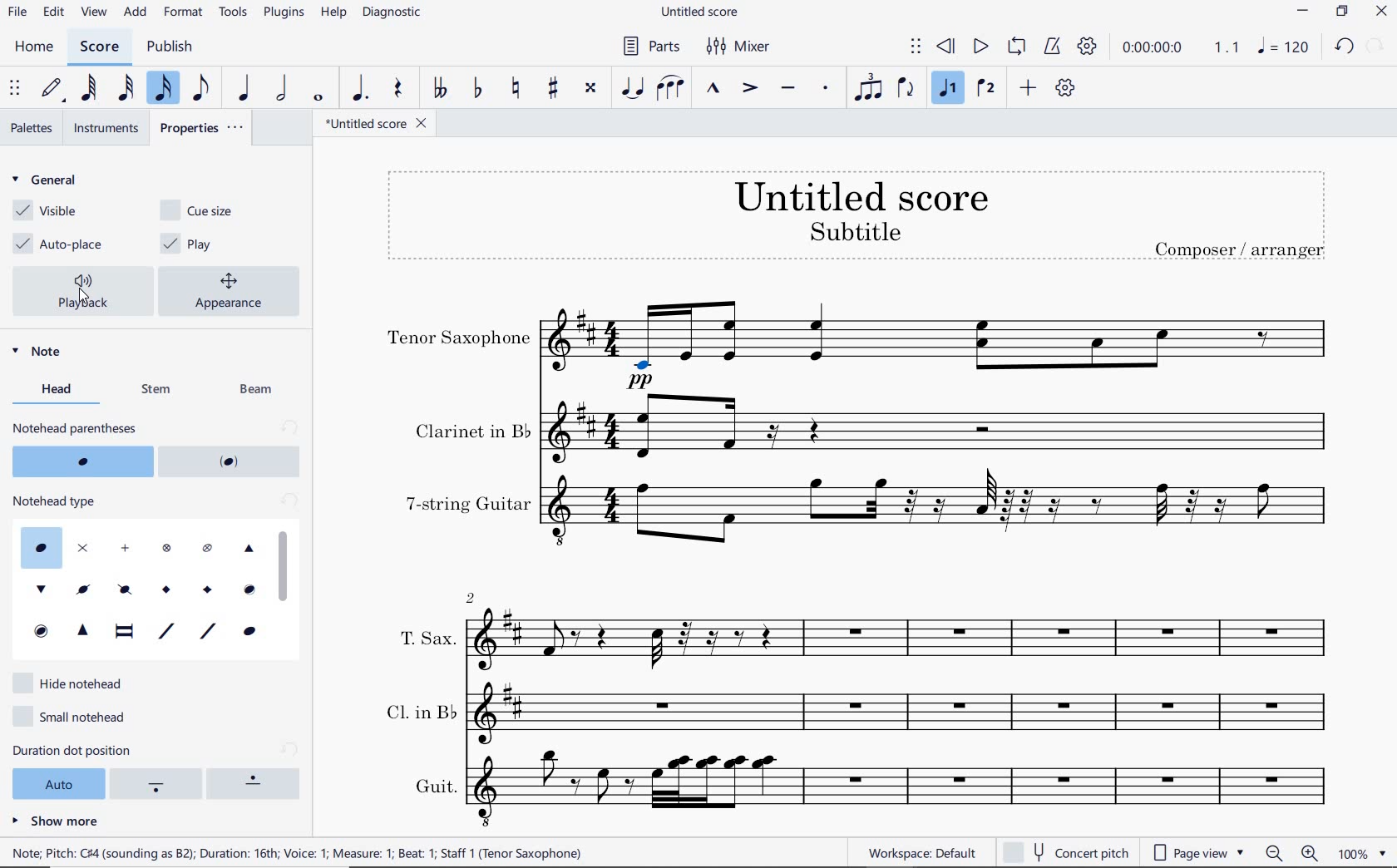  What do you see at coordinates (1313, 852) in the screenshot?
I see `zoom in` at bounding box center [1313, 852].